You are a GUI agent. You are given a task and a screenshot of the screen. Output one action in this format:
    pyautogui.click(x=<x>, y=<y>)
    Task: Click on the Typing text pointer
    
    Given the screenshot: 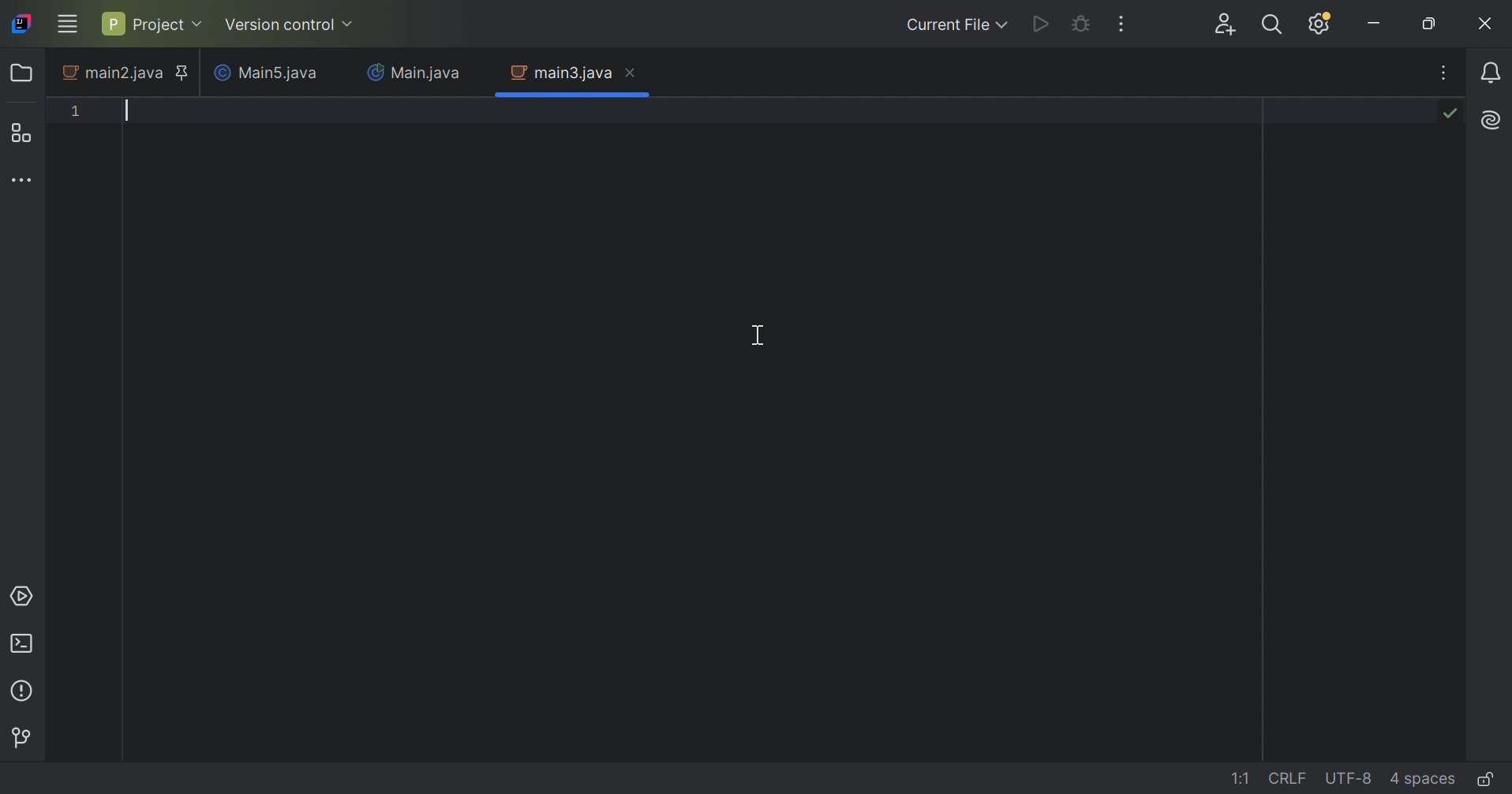 What is the action you would take?
    pyautogui.click(x=125, y=110)
    